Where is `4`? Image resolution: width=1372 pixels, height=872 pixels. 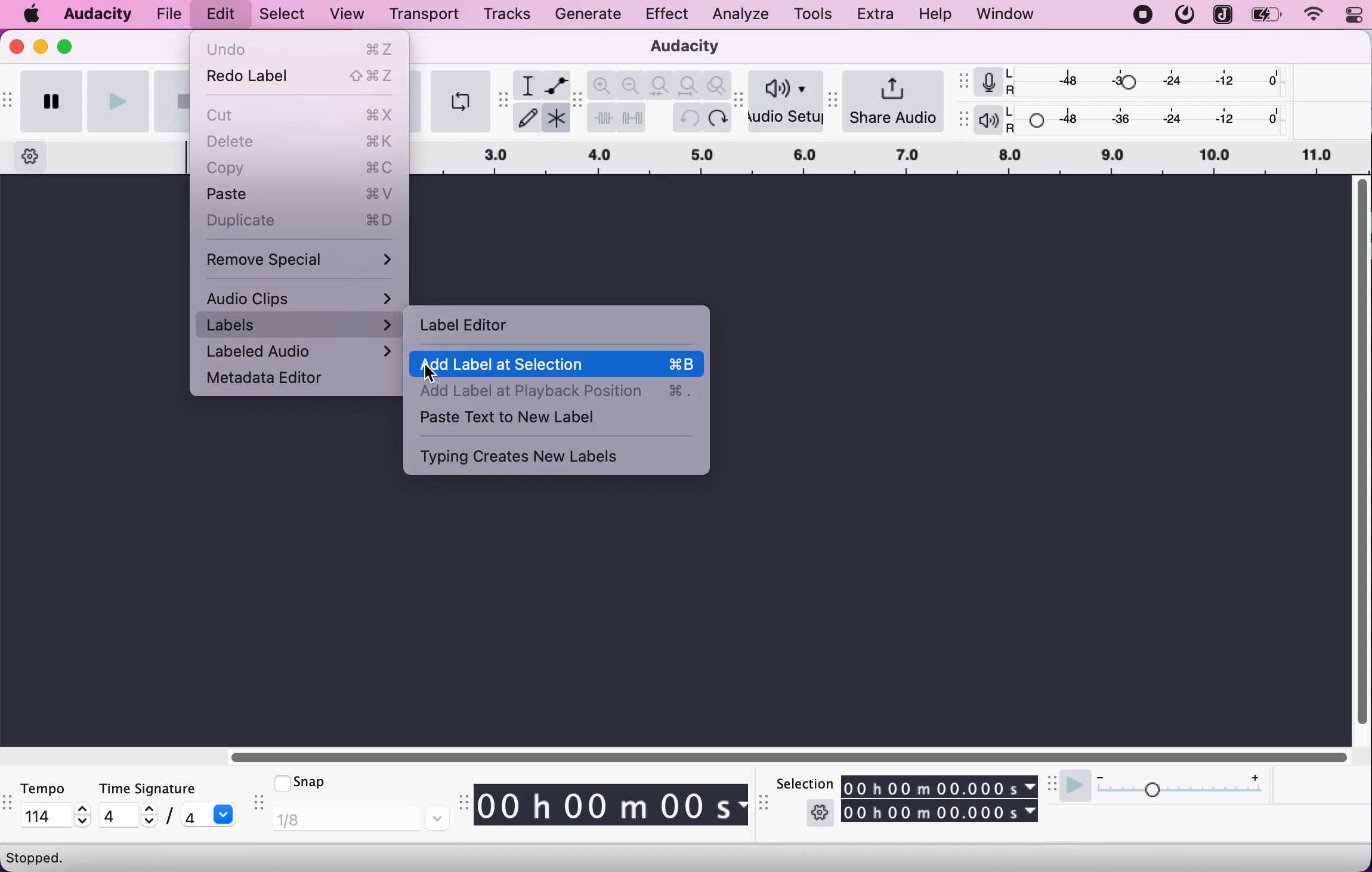 4 is located at coordinates (191, 815).